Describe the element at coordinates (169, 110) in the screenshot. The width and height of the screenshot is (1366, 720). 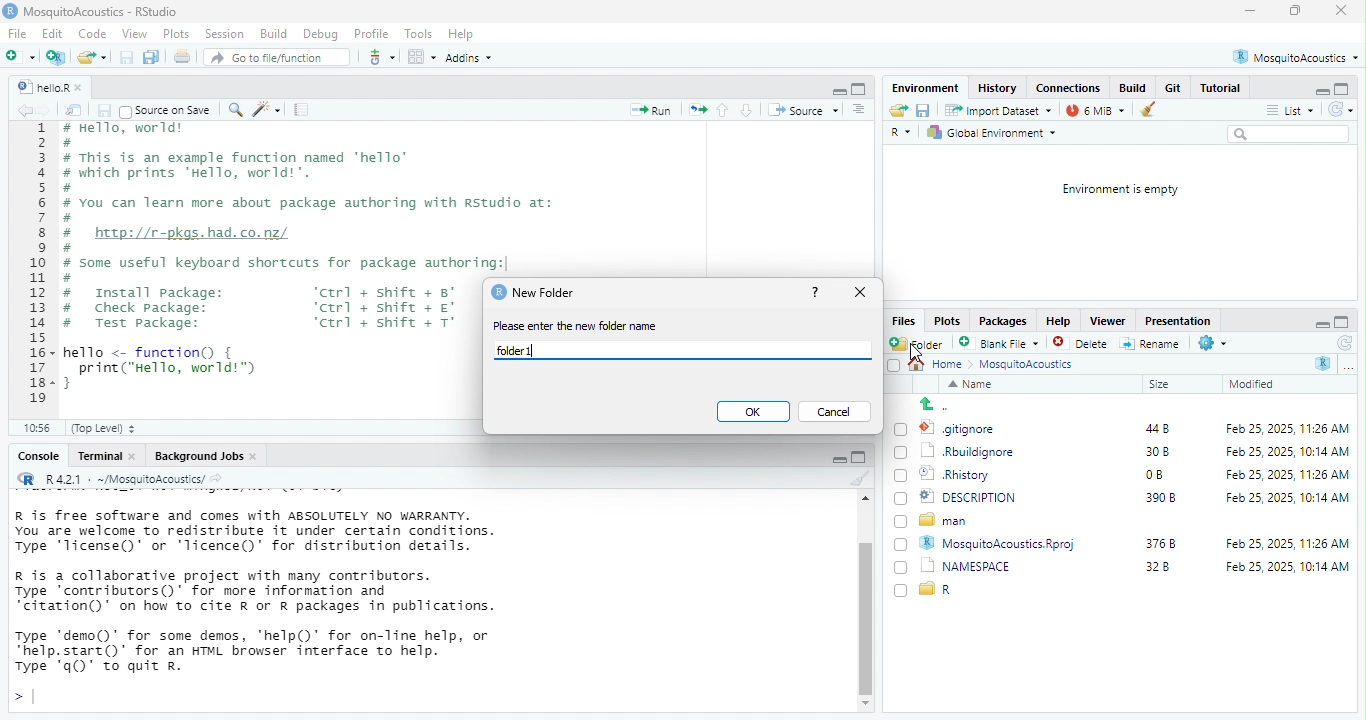
I see `~ Source on Save` at that location.